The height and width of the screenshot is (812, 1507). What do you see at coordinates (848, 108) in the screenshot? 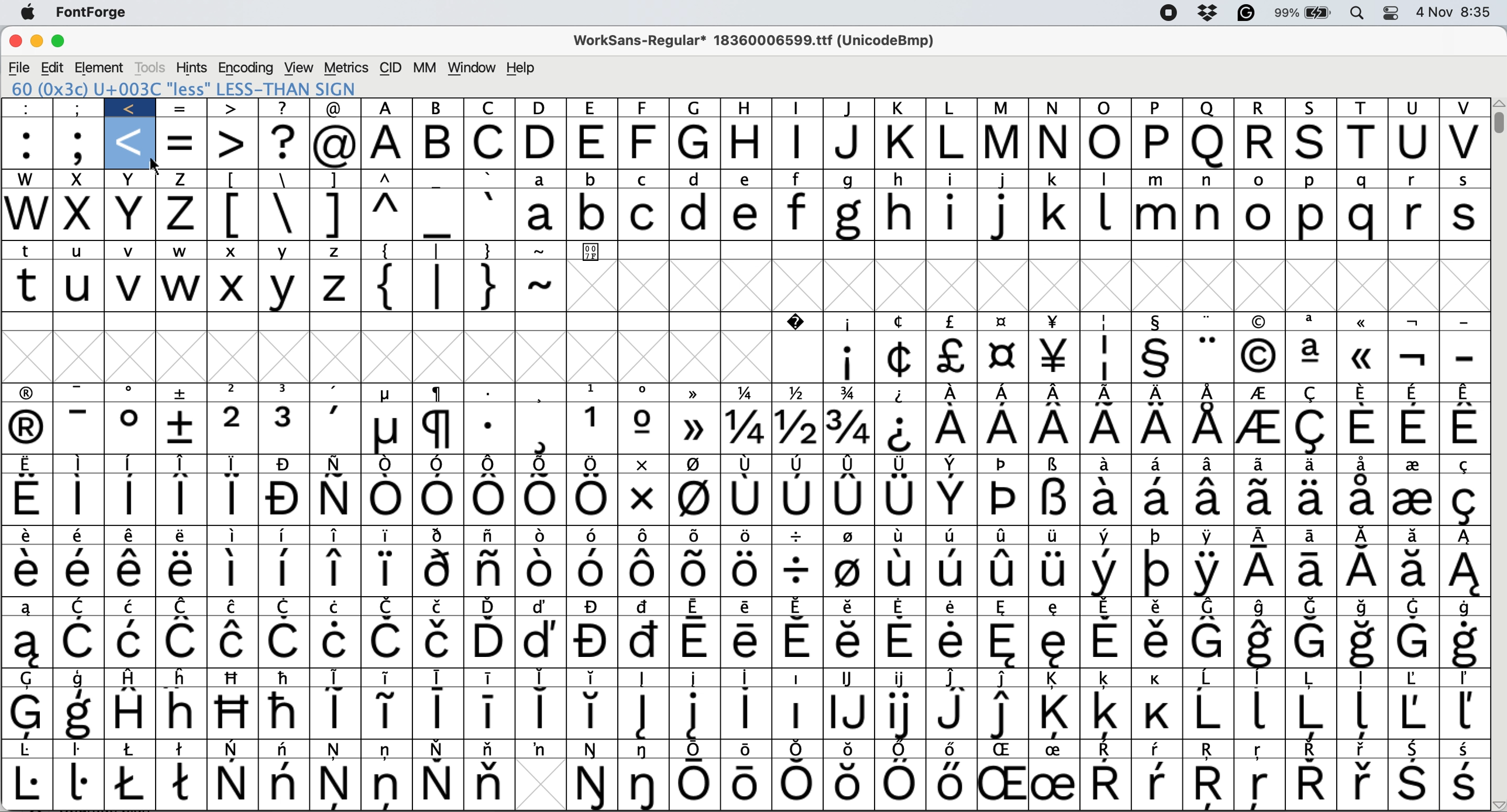
I see `j` at bounding box center [848, 108].